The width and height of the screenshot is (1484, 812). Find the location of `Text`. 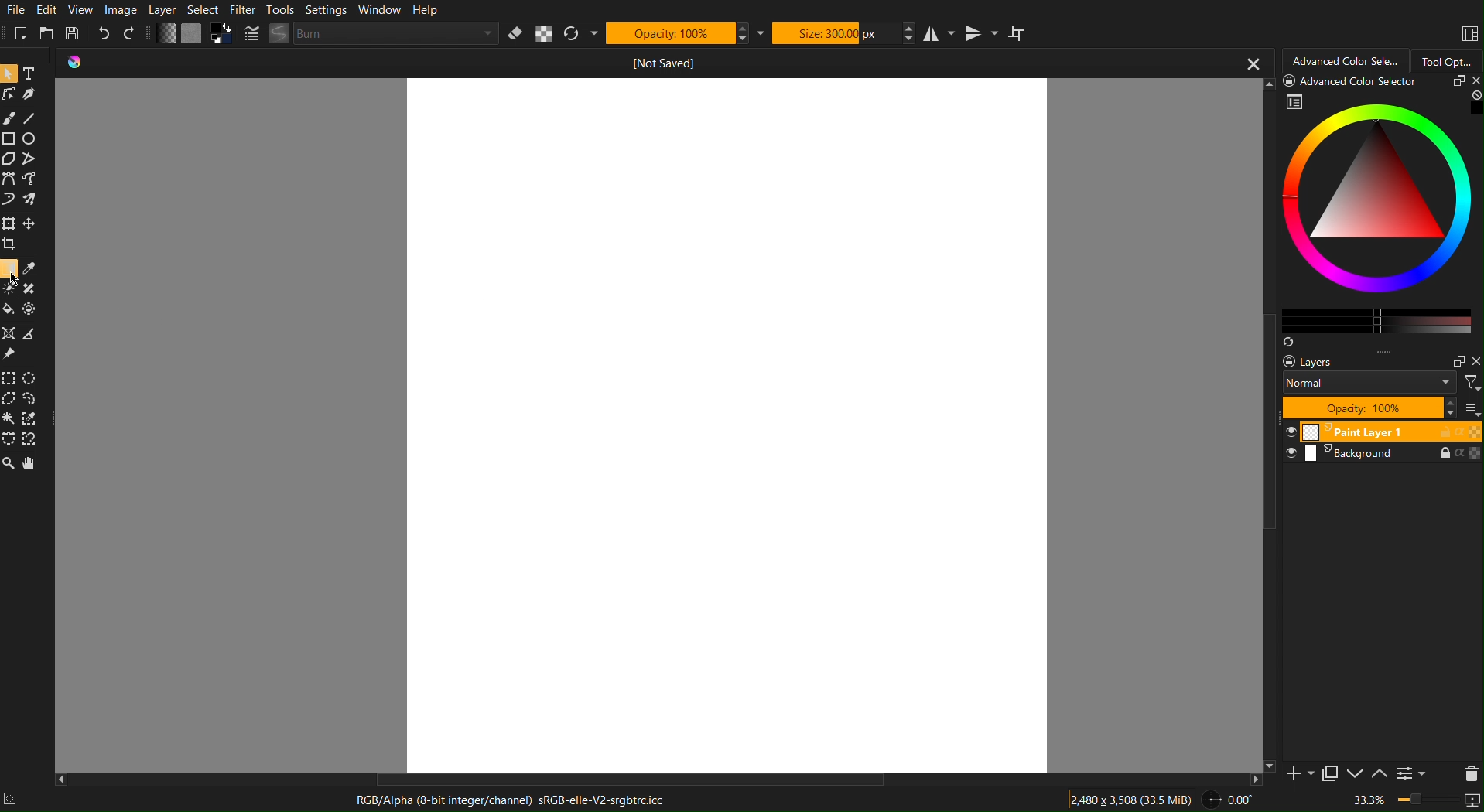

Text is located at coordinates (33, 73).